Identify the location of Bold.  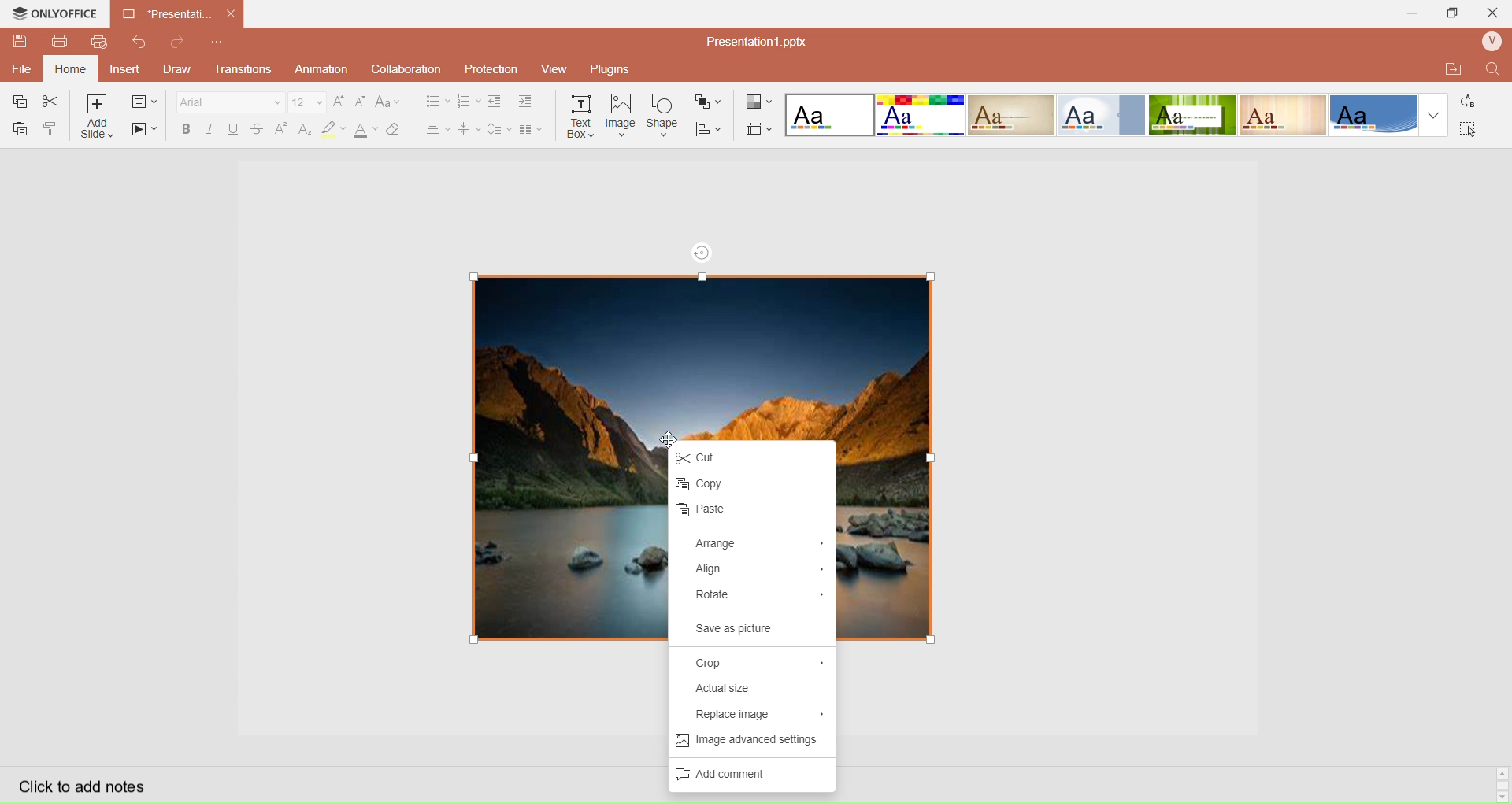
(186, 129).